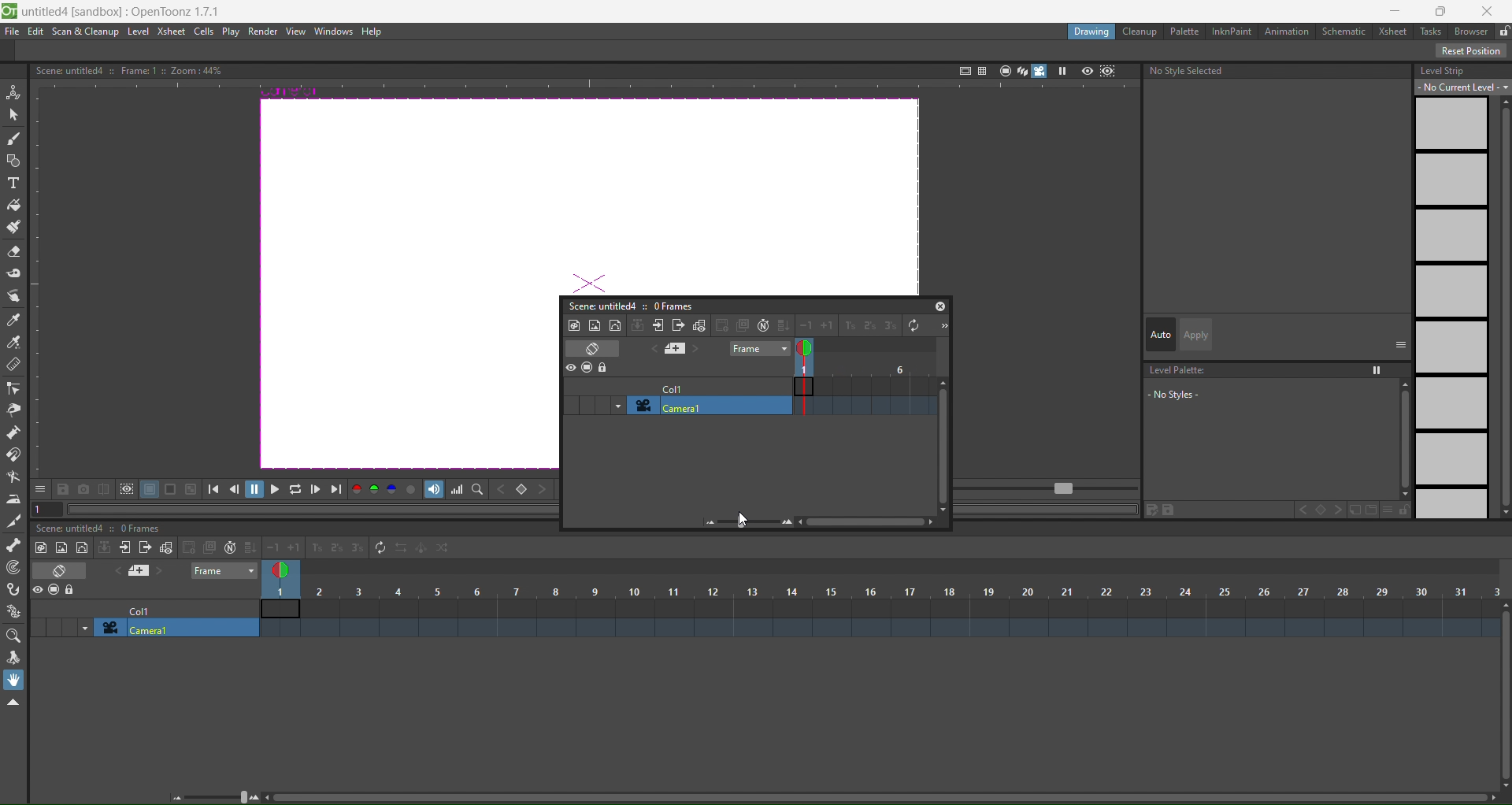  I want to click on locator, so click(478, 490).